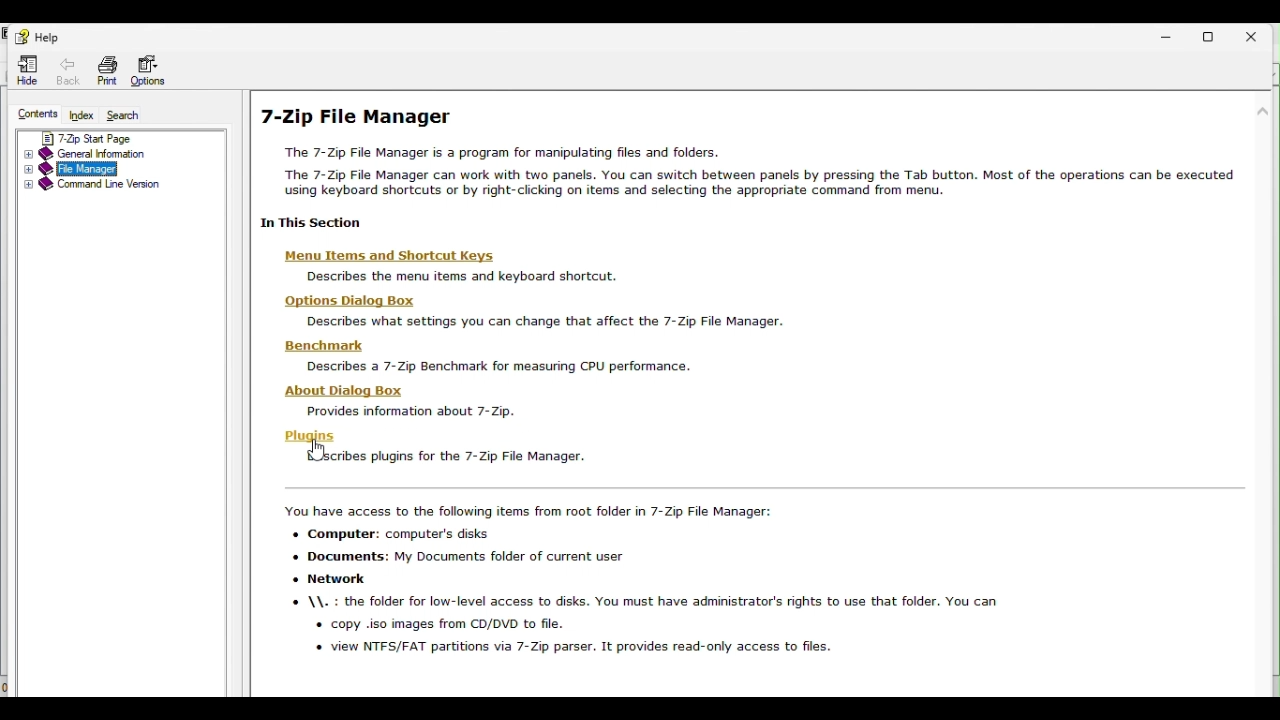  I want to click on text, so click(749, 171).